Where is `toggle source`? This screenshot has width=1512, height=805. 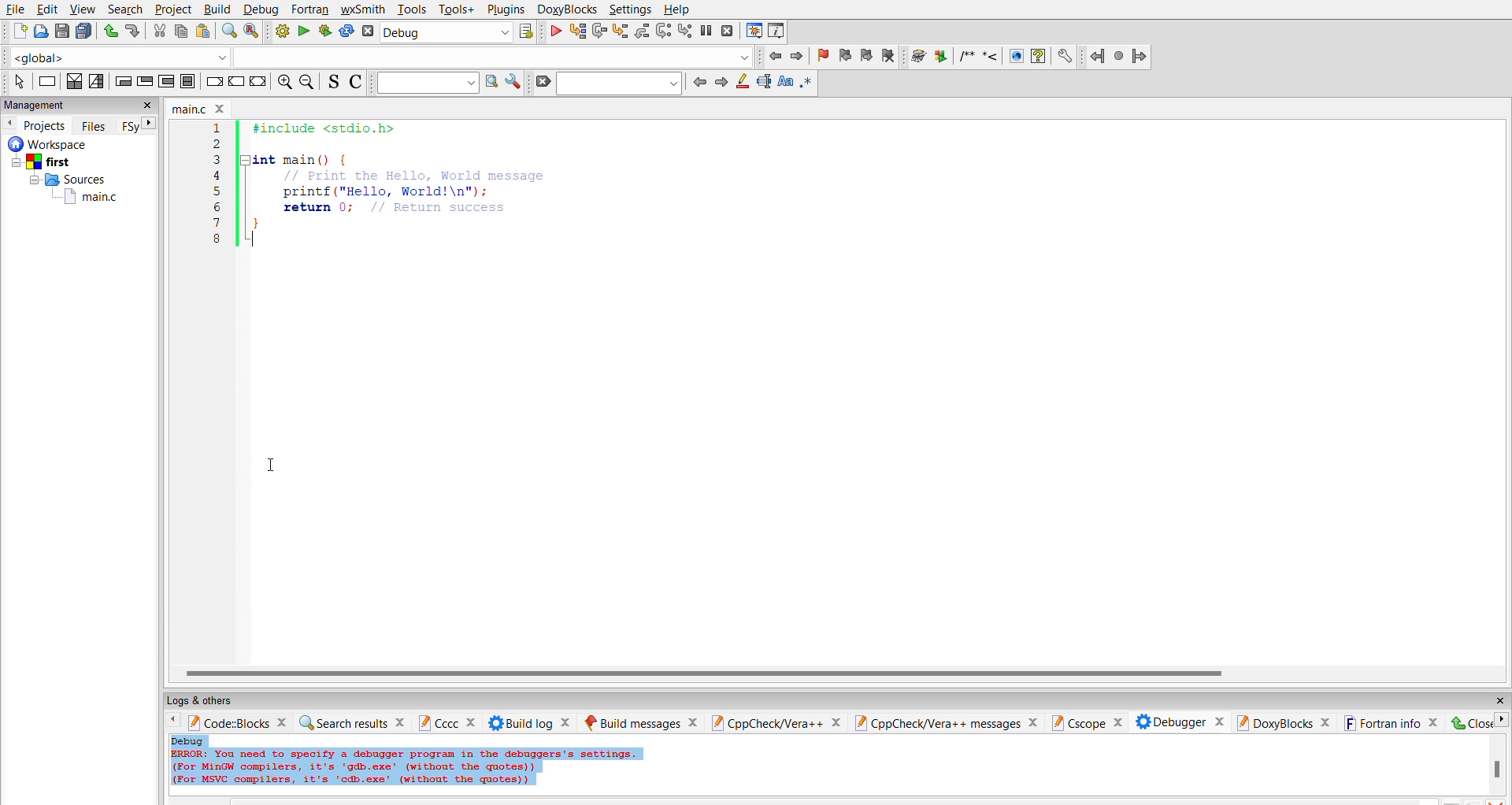
toggle source is located at coordinates (335, 83).